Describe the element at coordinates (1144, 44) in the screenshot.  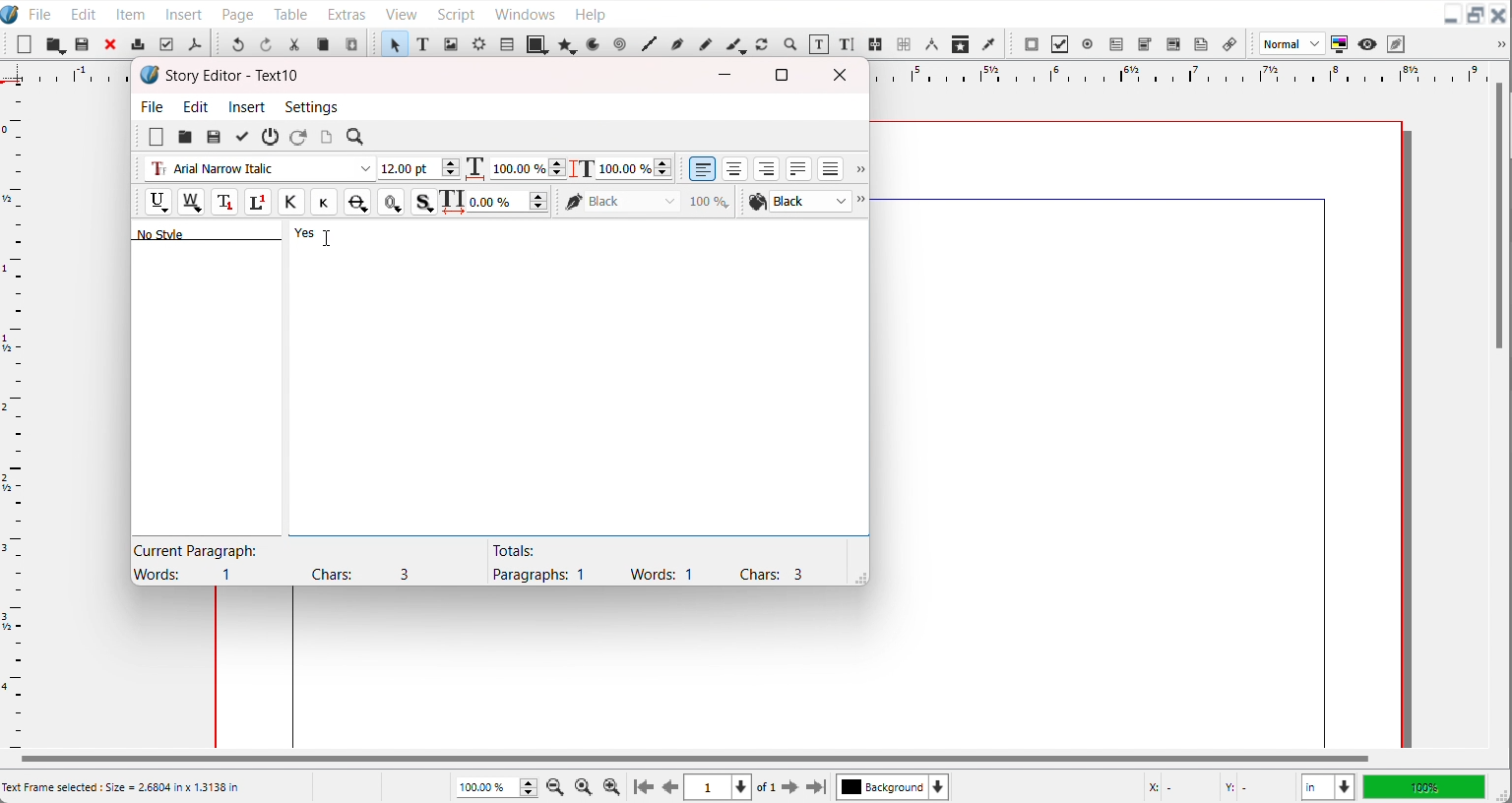
I see `PDF Combo button` at that location.